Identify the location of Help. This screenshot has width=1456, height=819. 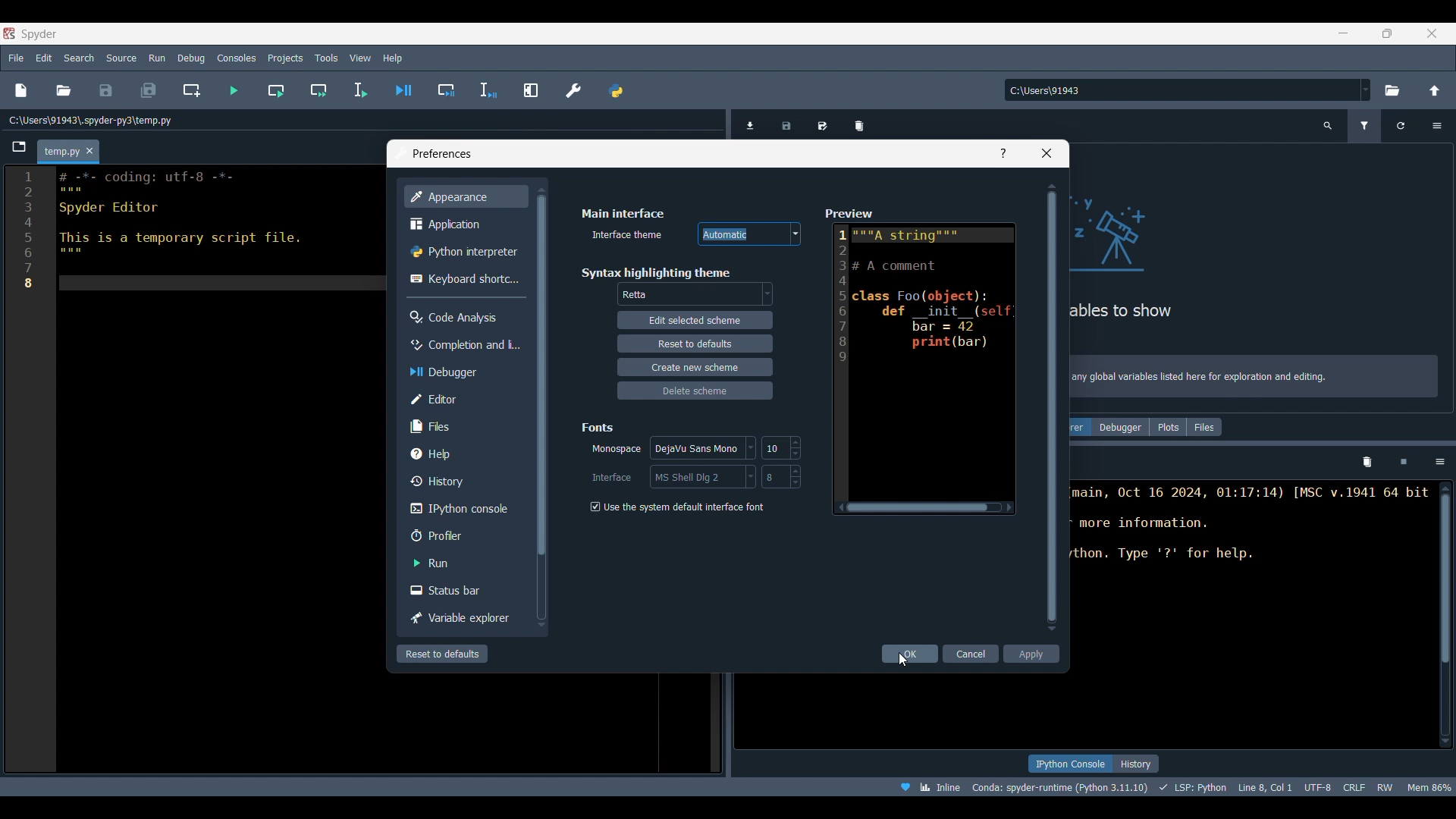
(1003, 153).